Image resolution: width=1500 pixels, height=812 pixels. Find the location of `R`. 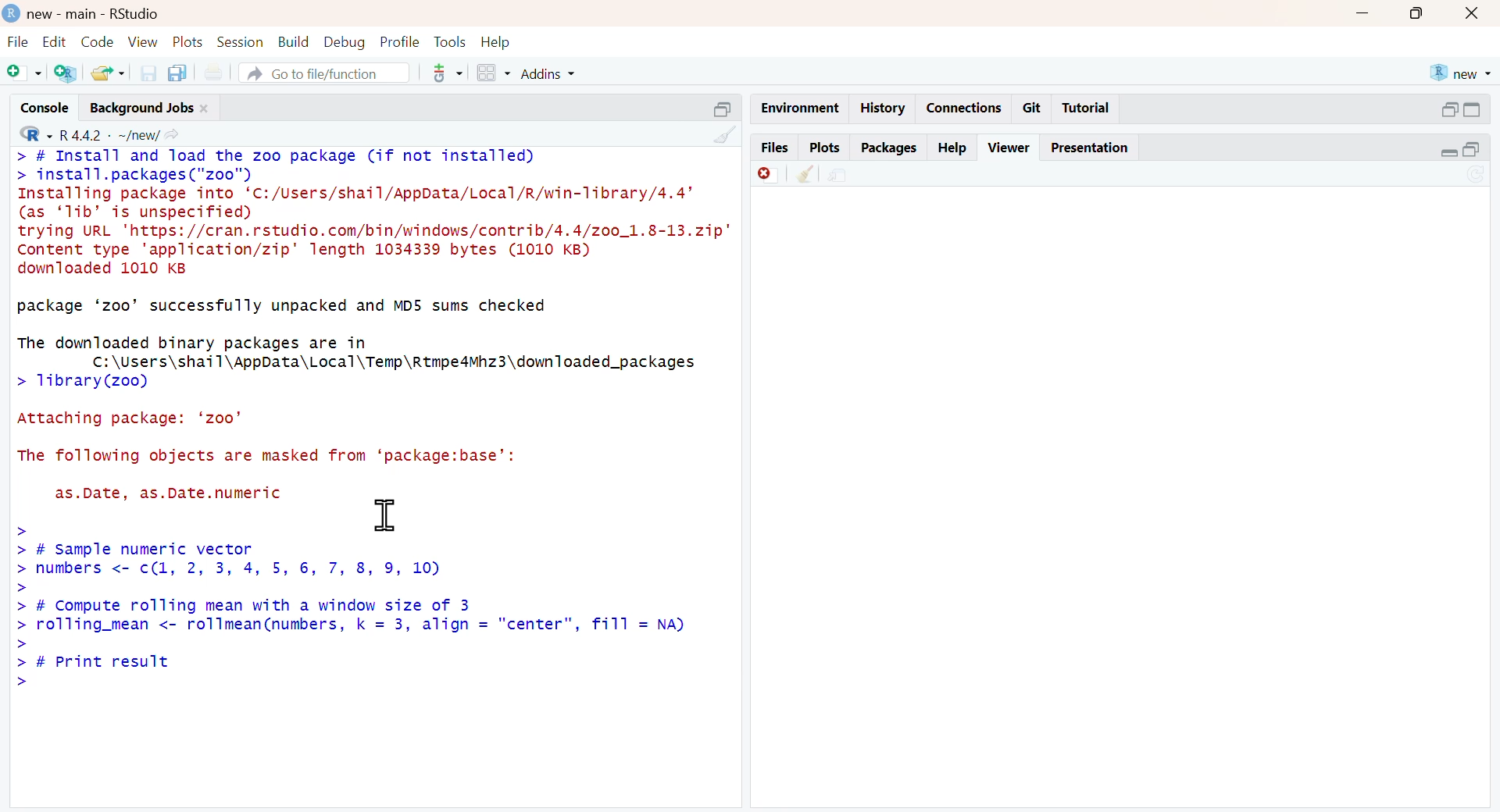

R is located at coordinates (36, 134).